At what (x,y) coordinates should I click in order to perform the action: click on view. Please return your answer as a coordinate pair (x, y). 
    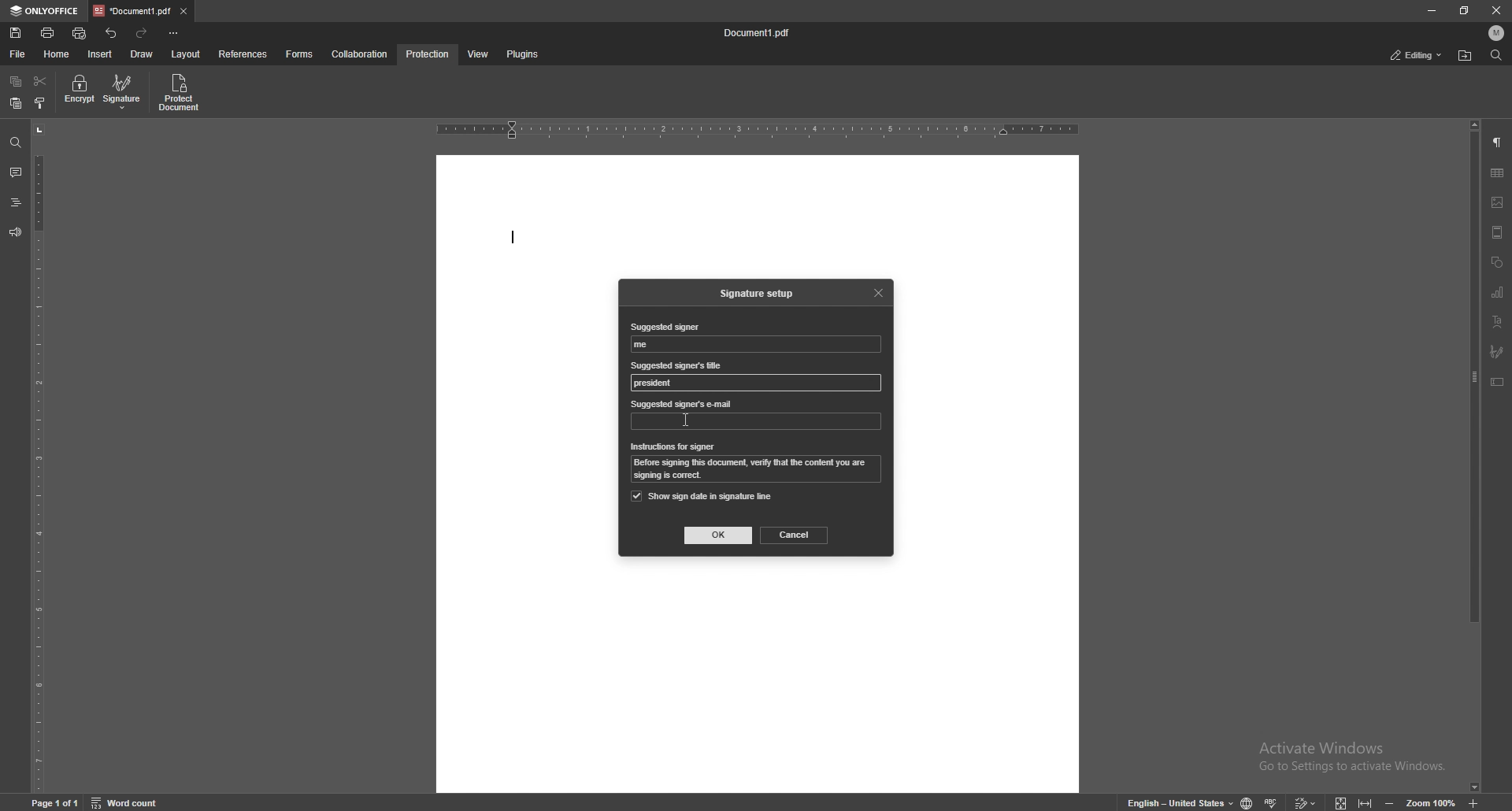
    Looking at the image, I should click on (475, 55).